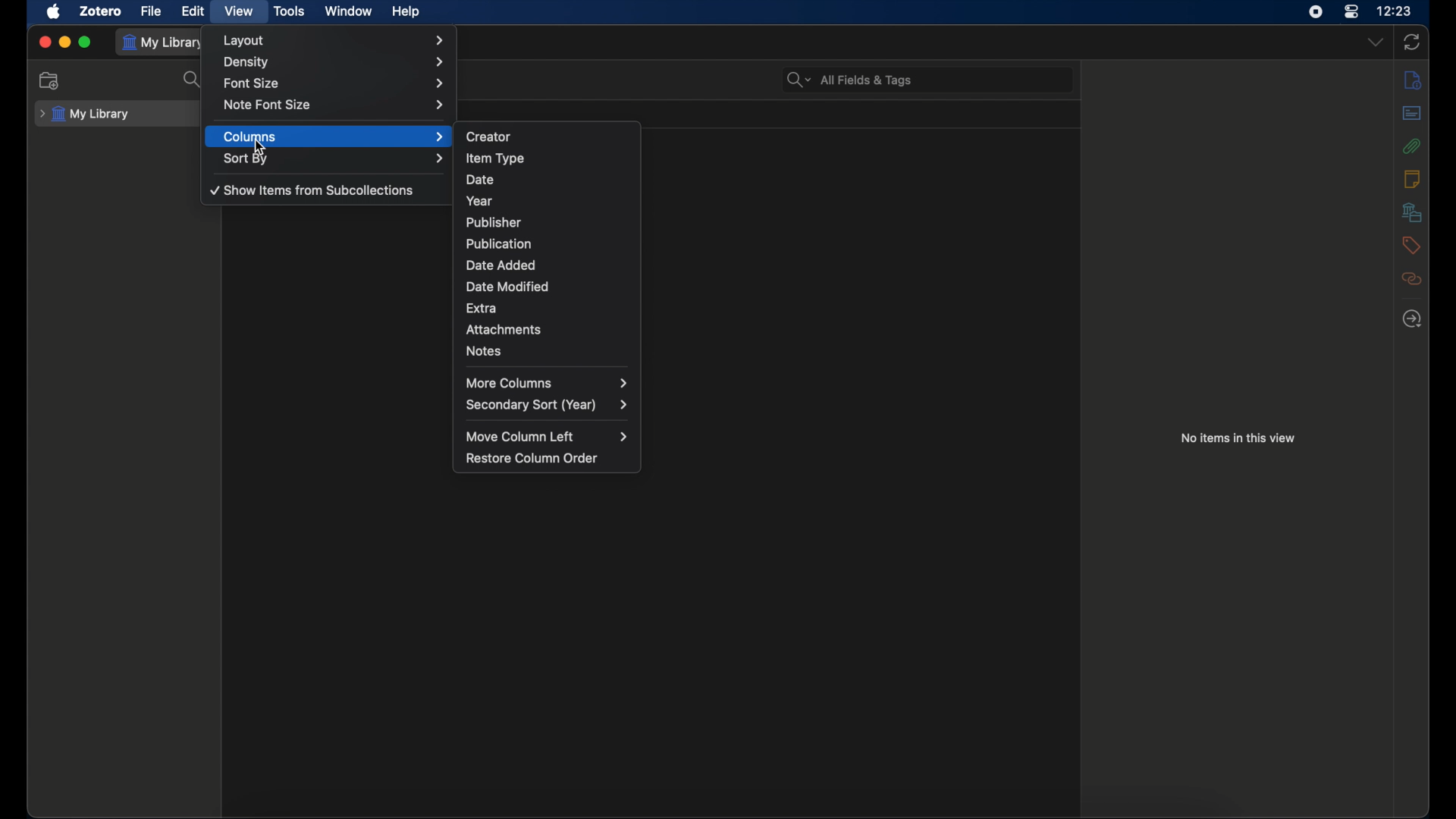  What do you see at coordinates (849, 80) in the screenshot?
I see `search bar` at bounding box center [849, 80].